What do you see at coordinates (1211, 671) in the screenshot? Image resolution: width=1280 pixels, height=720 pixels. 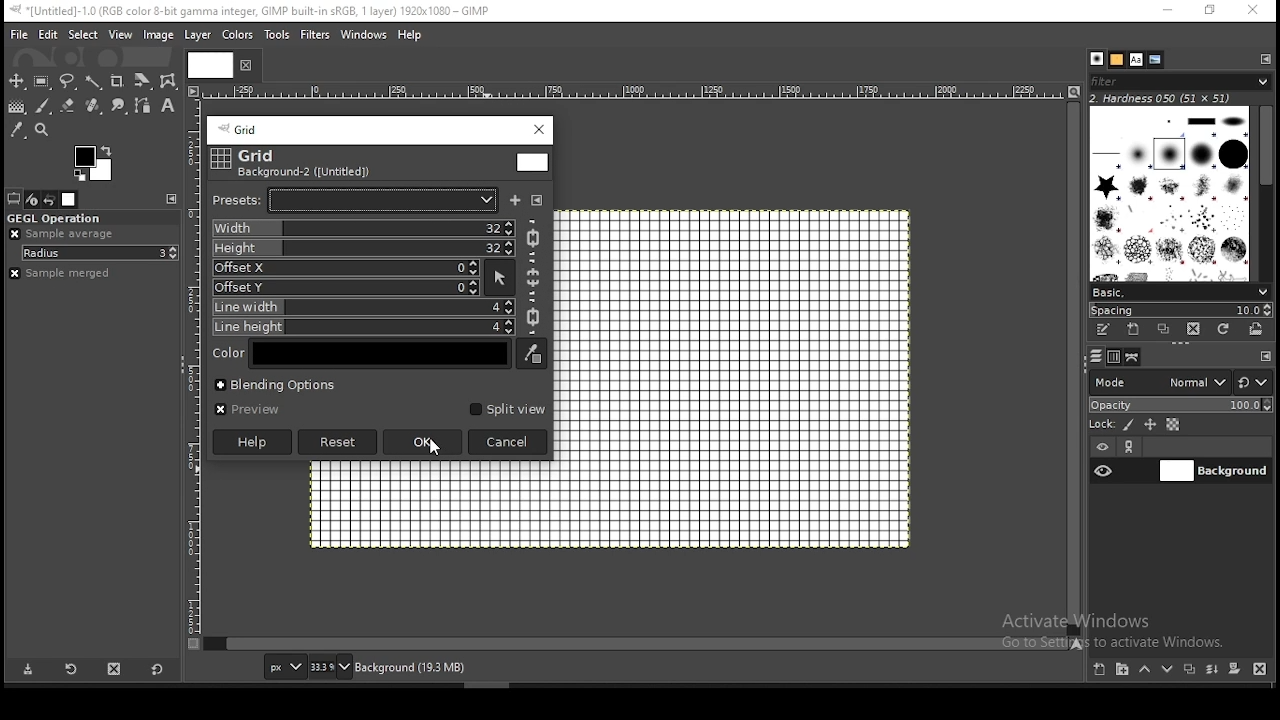 I see `merge layer` at bounding box center [1211, 671].